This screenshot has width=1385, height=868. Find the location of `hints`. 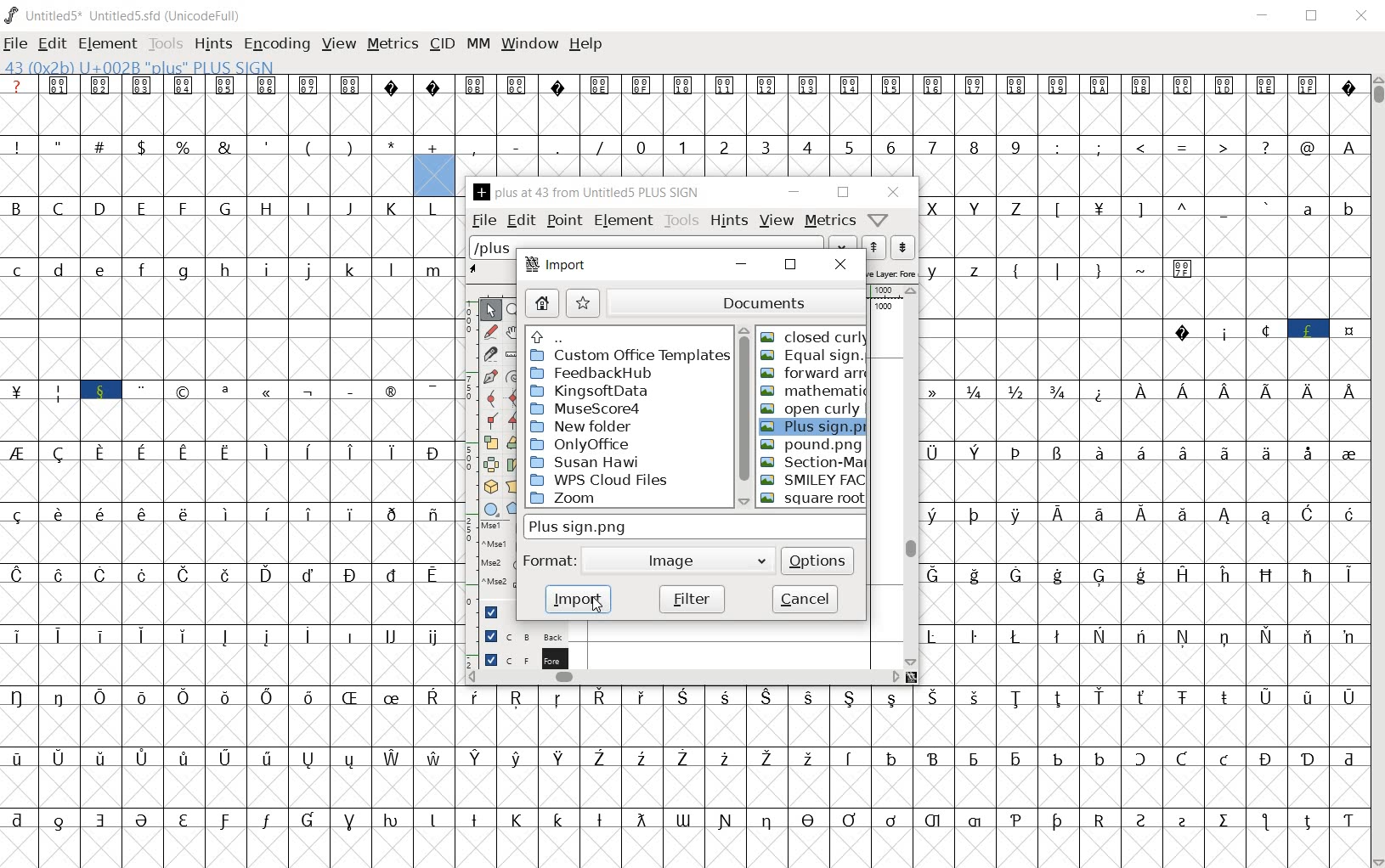

hints is located at coordinates (729, 223).